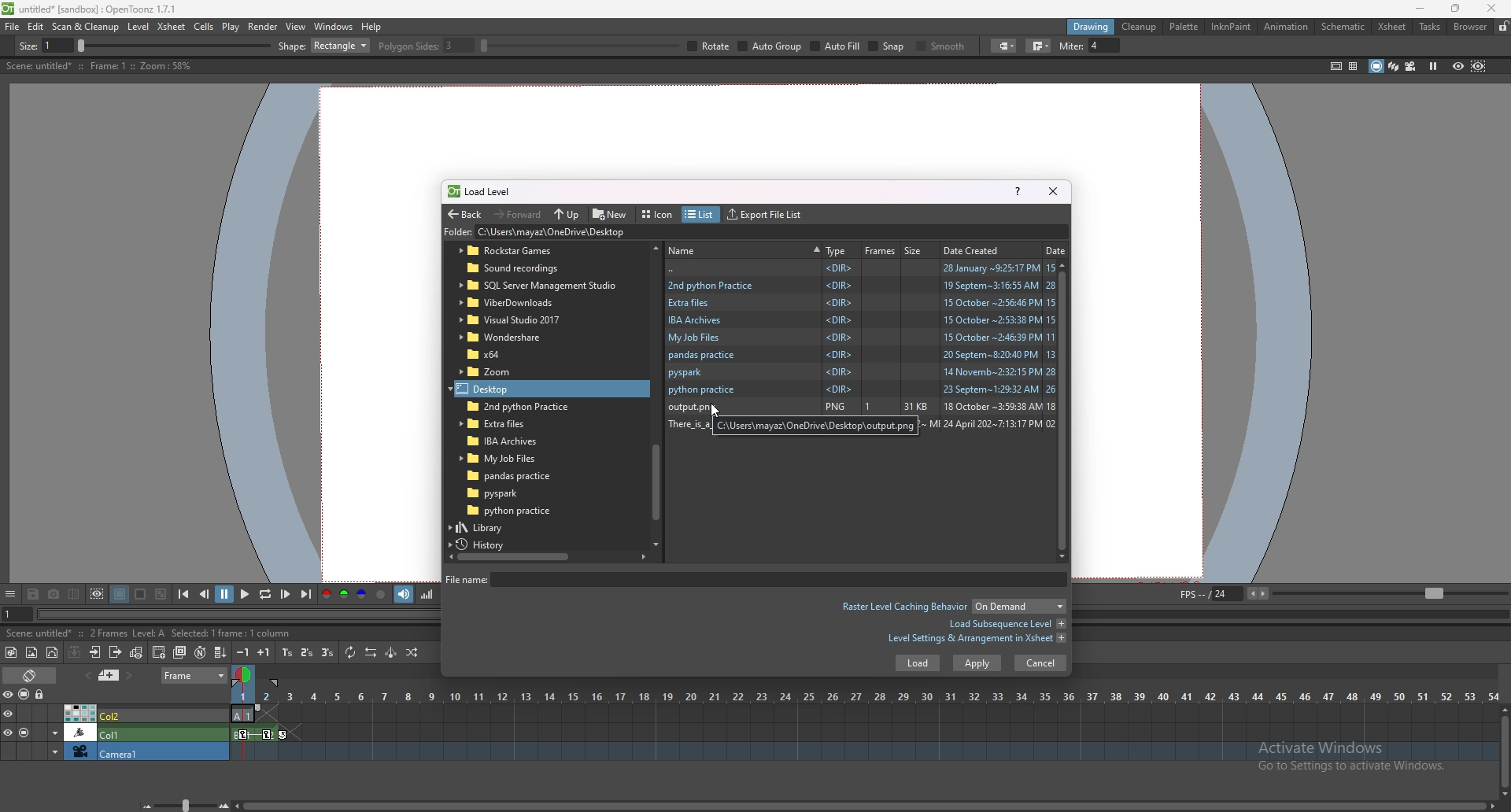 This screenshot has width=1511, height=812. I want to click on view, so click(296, 26).